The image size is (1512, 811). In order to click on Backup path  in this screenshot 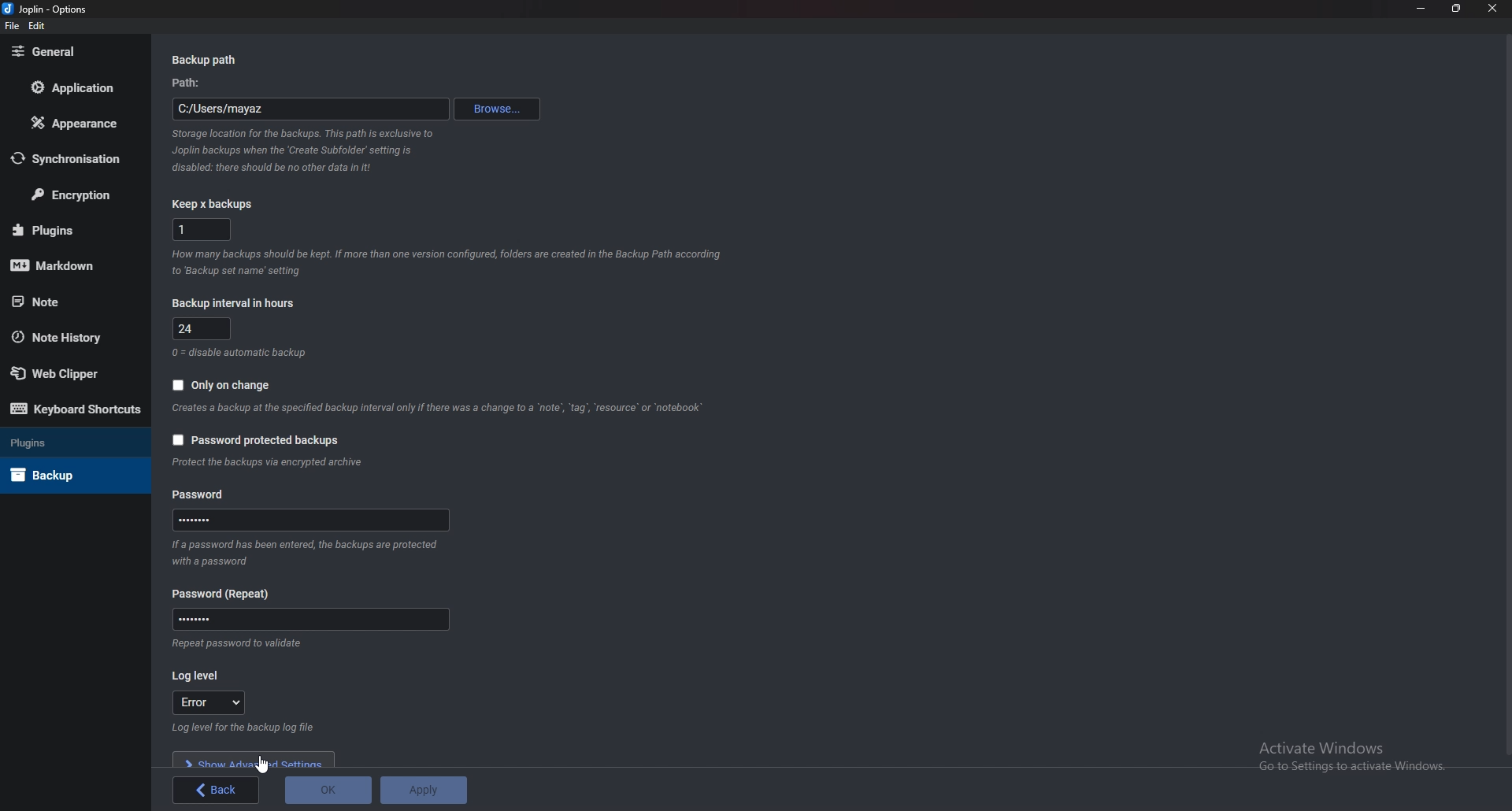, I will do `click(218, 61)`.